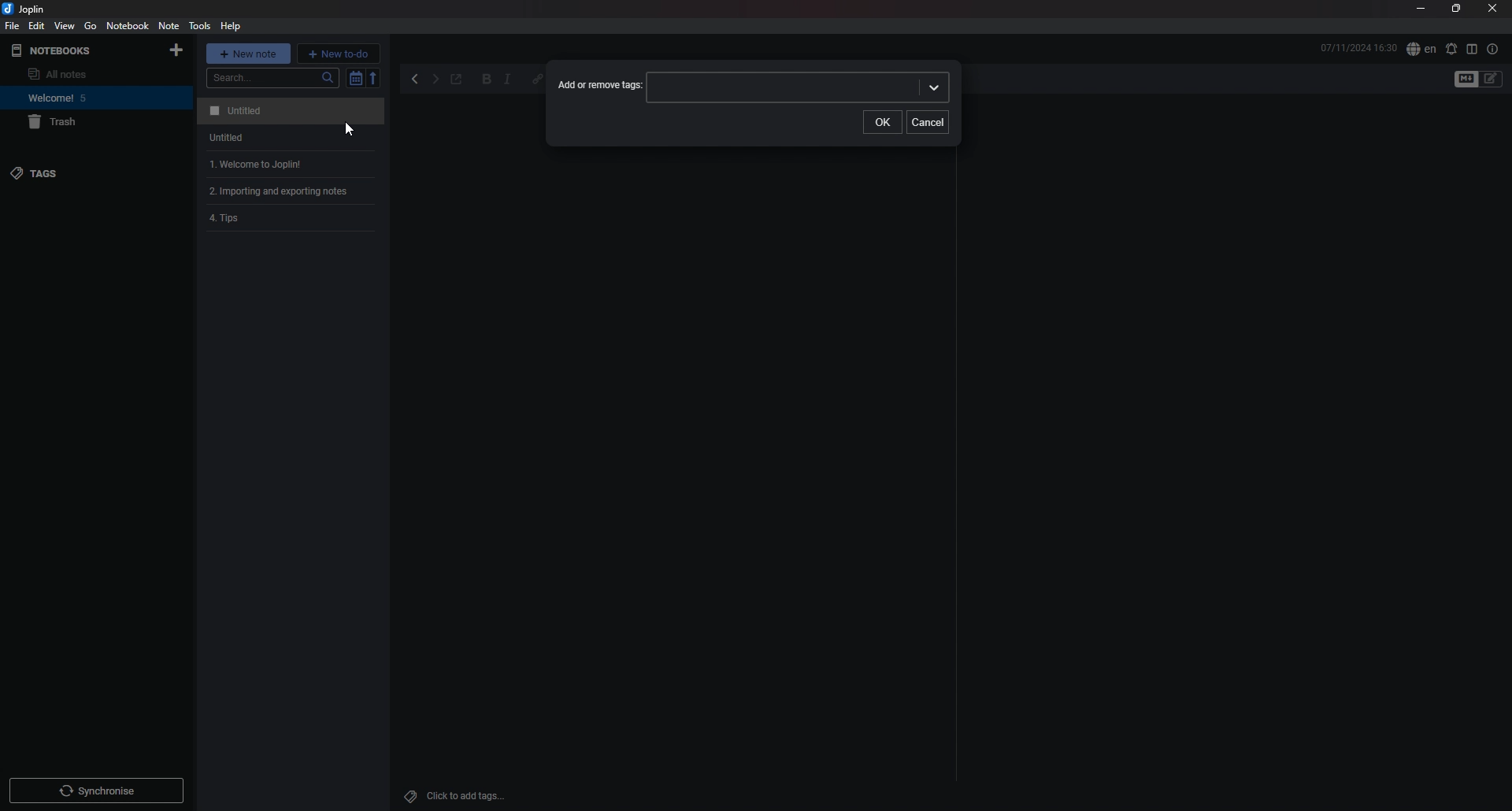 This screenshot has width=1512, height=811. I want to click on hyperlink, so click(534, 80).